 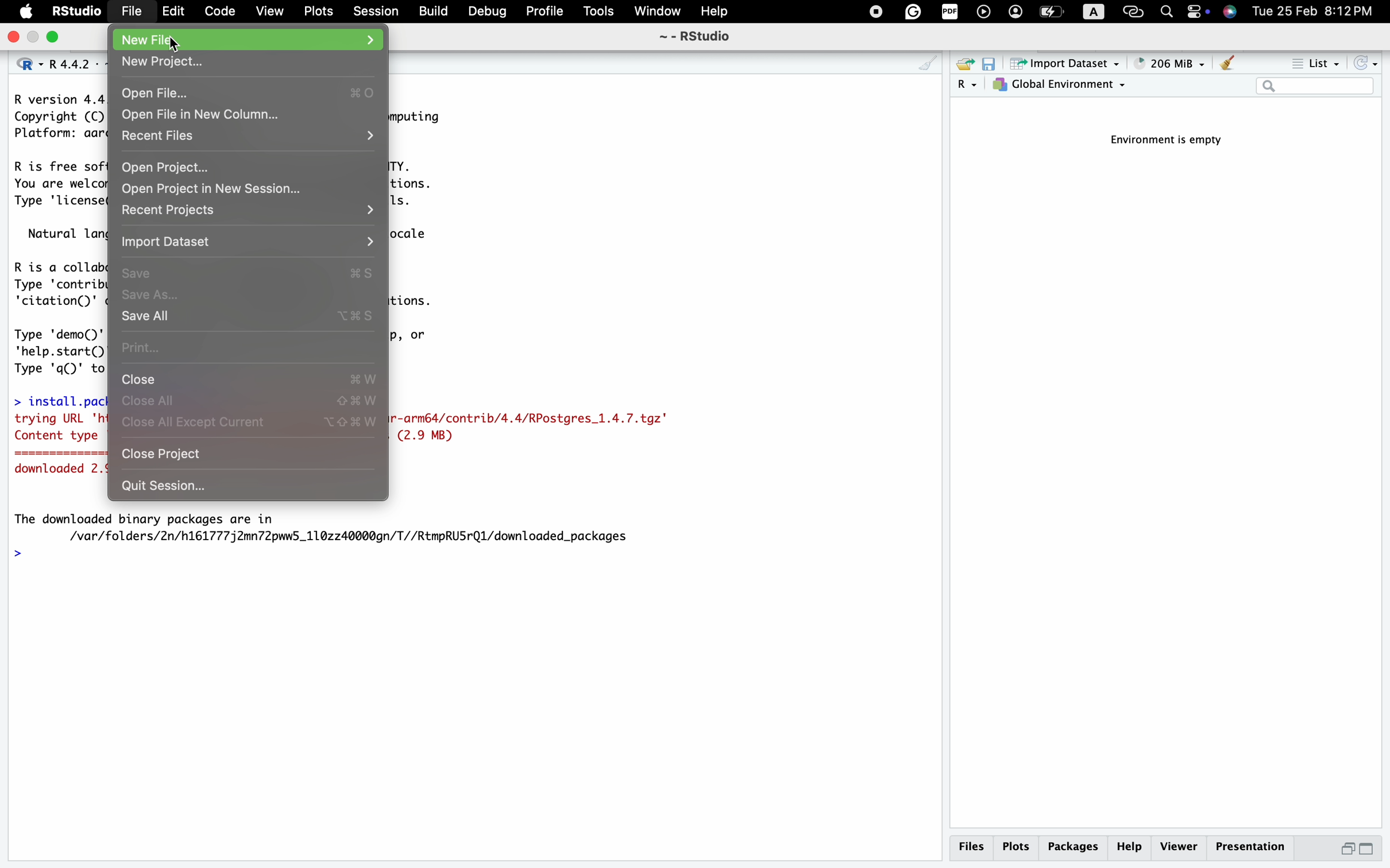 I want to click on maximize, so click(x=1374, y=850).